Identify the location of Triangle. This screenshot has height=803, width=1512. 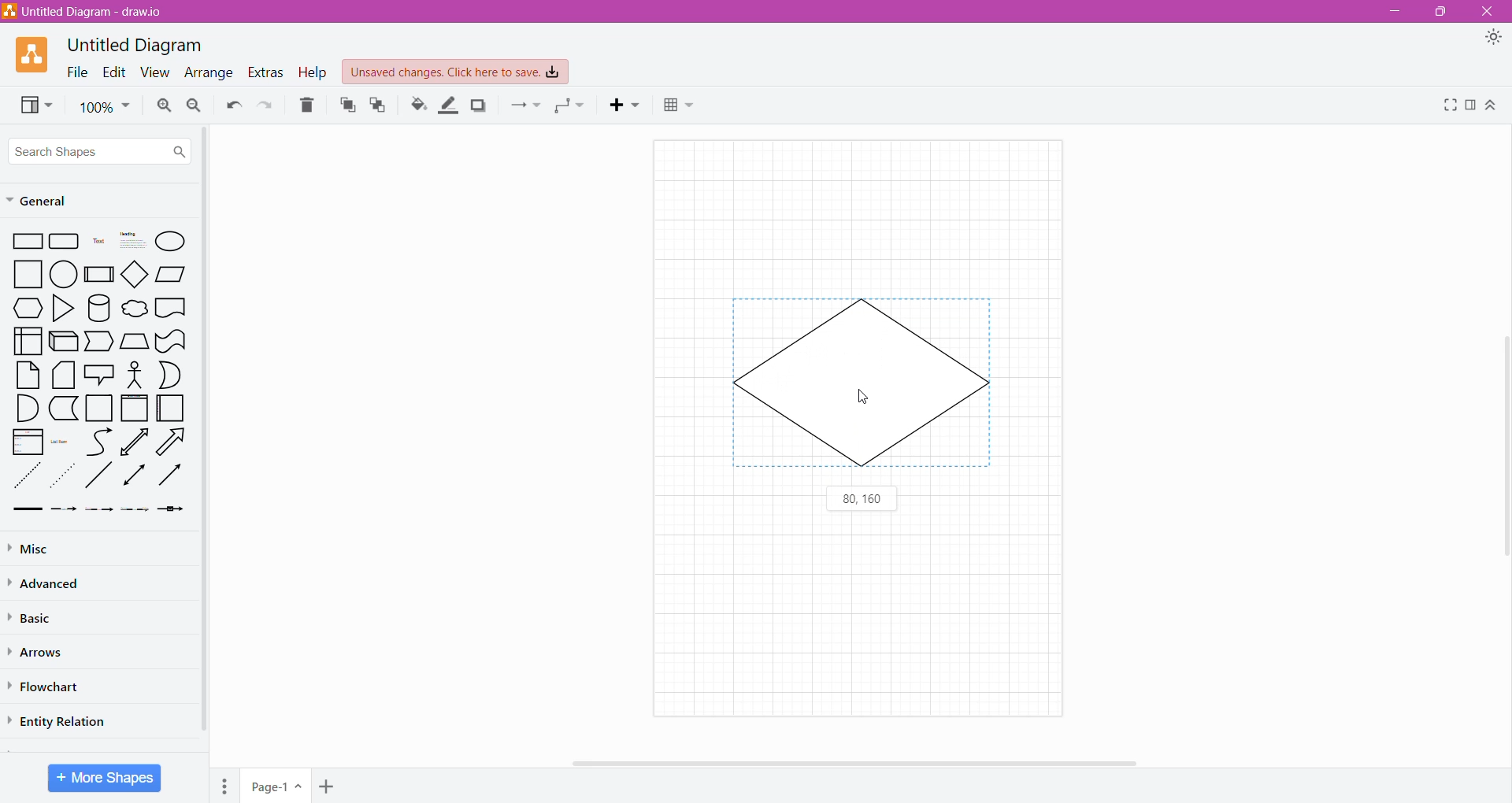
(61, 310).